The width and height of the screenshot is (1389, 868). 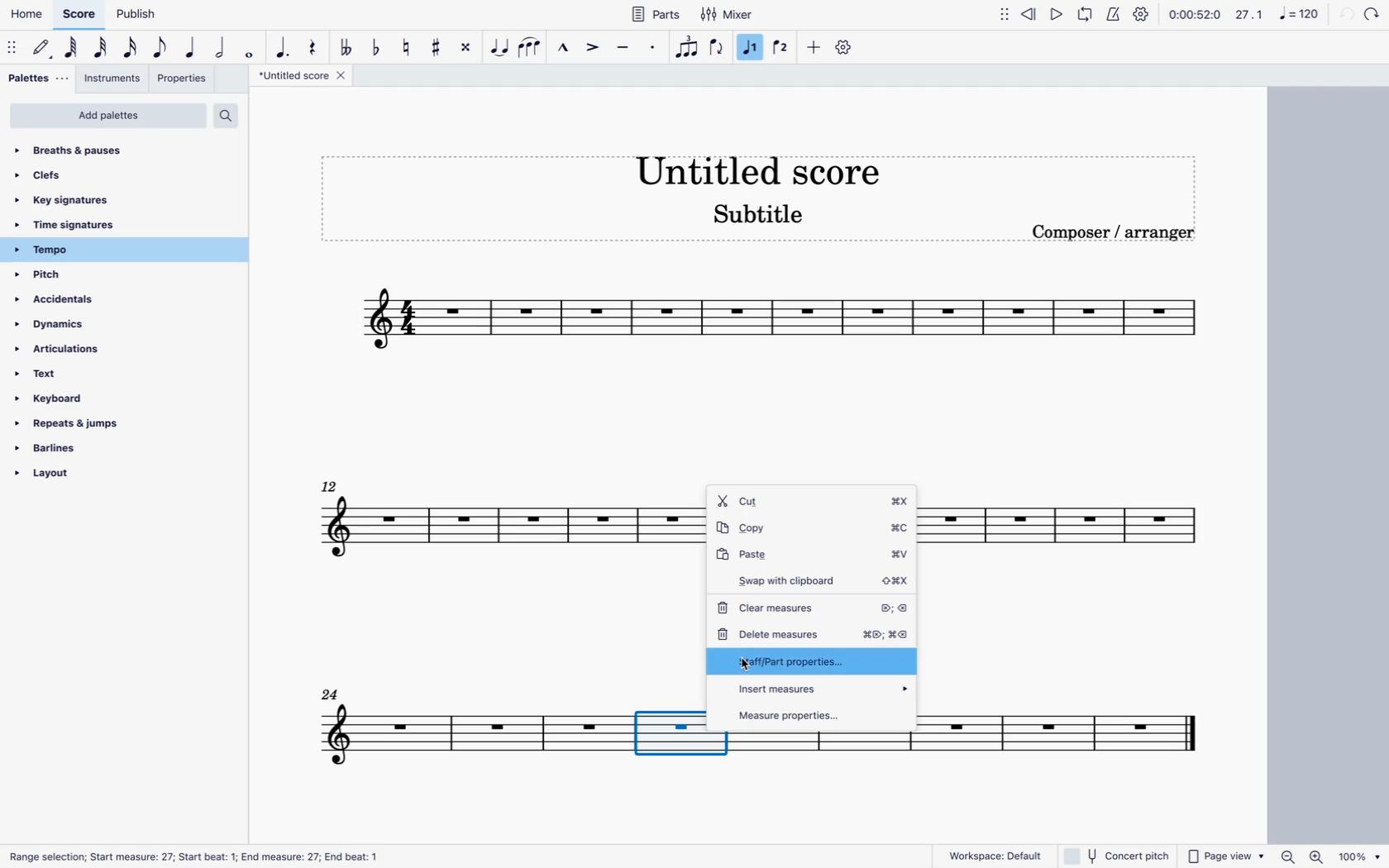 I want to click on swap with cliboard, so click(x=811, y=579).